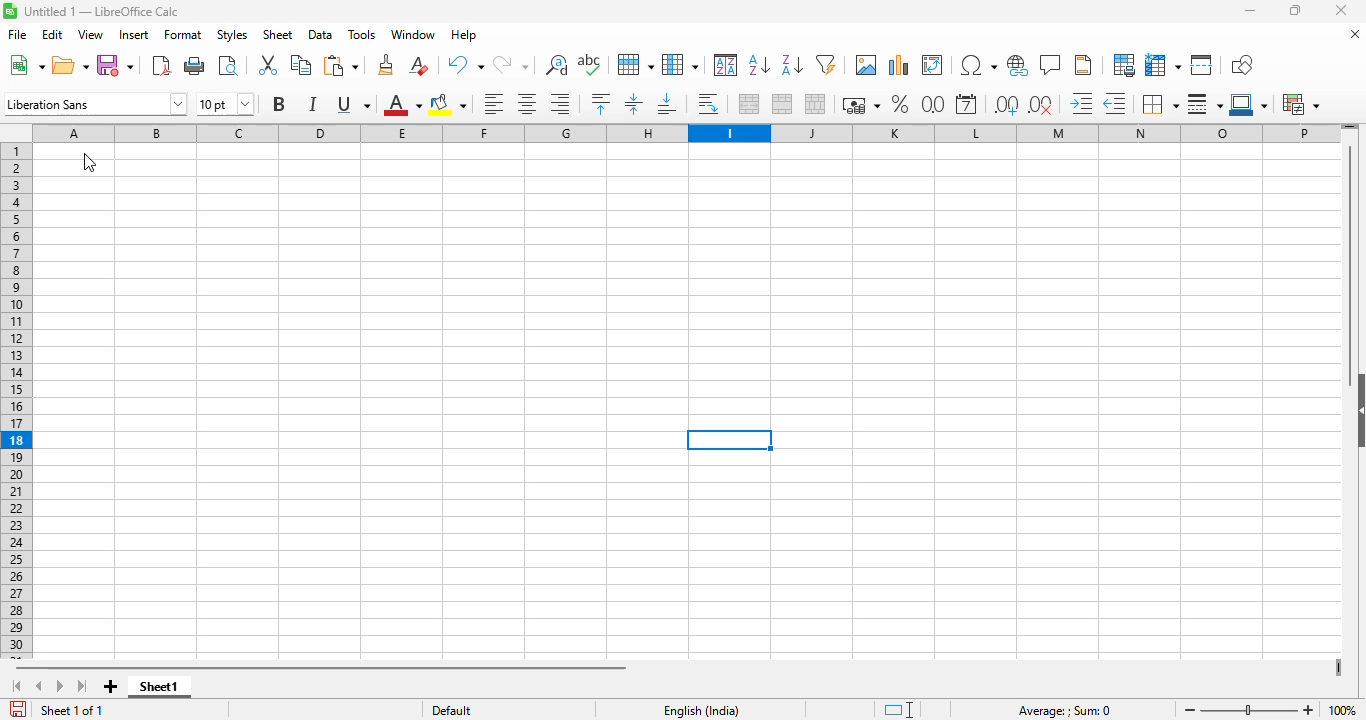 This screenshot has height=720, width=1366. I want to click on row, so click(635, 64).